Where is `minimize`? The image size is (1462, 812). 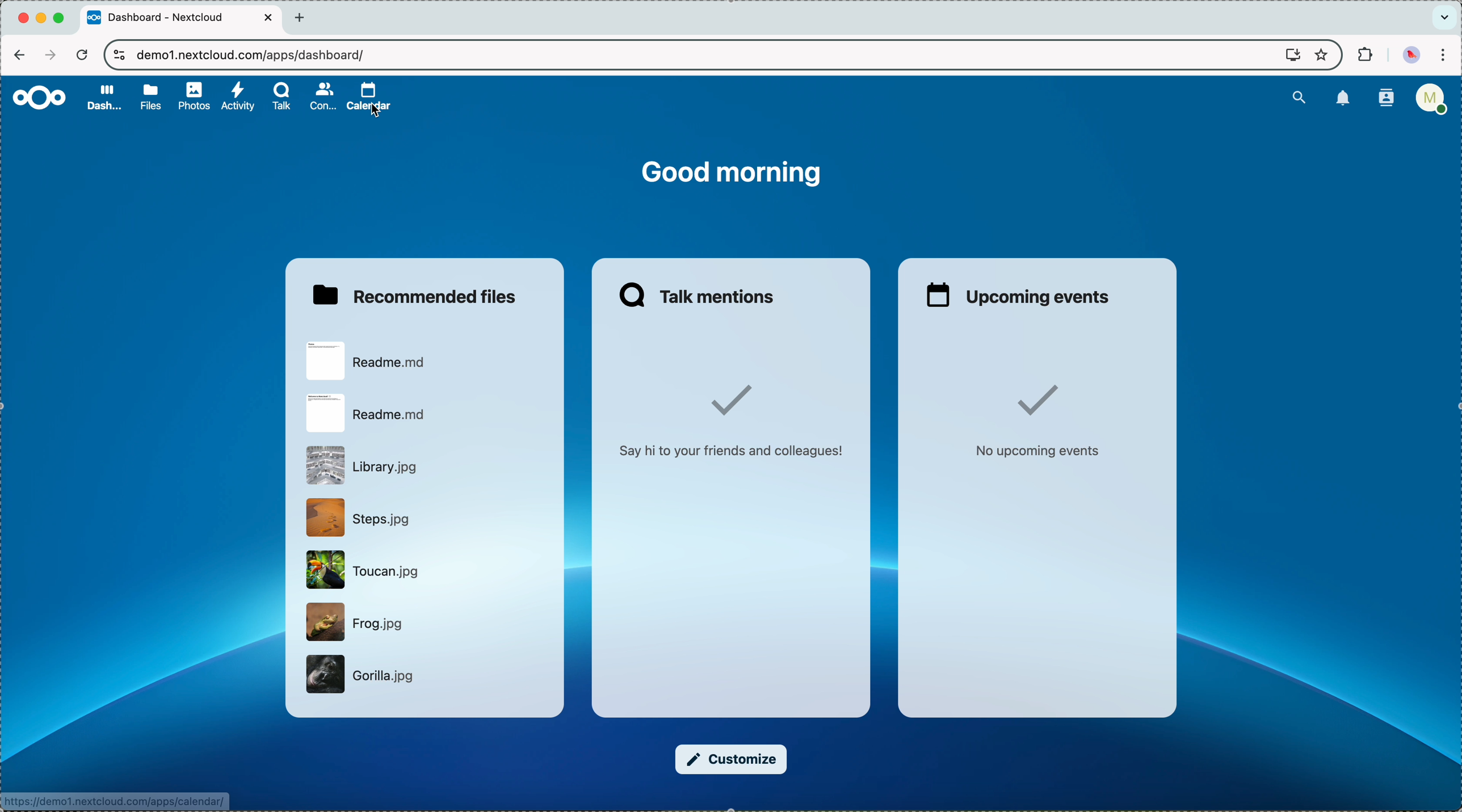 minimize is located at coordinates (43, 19).